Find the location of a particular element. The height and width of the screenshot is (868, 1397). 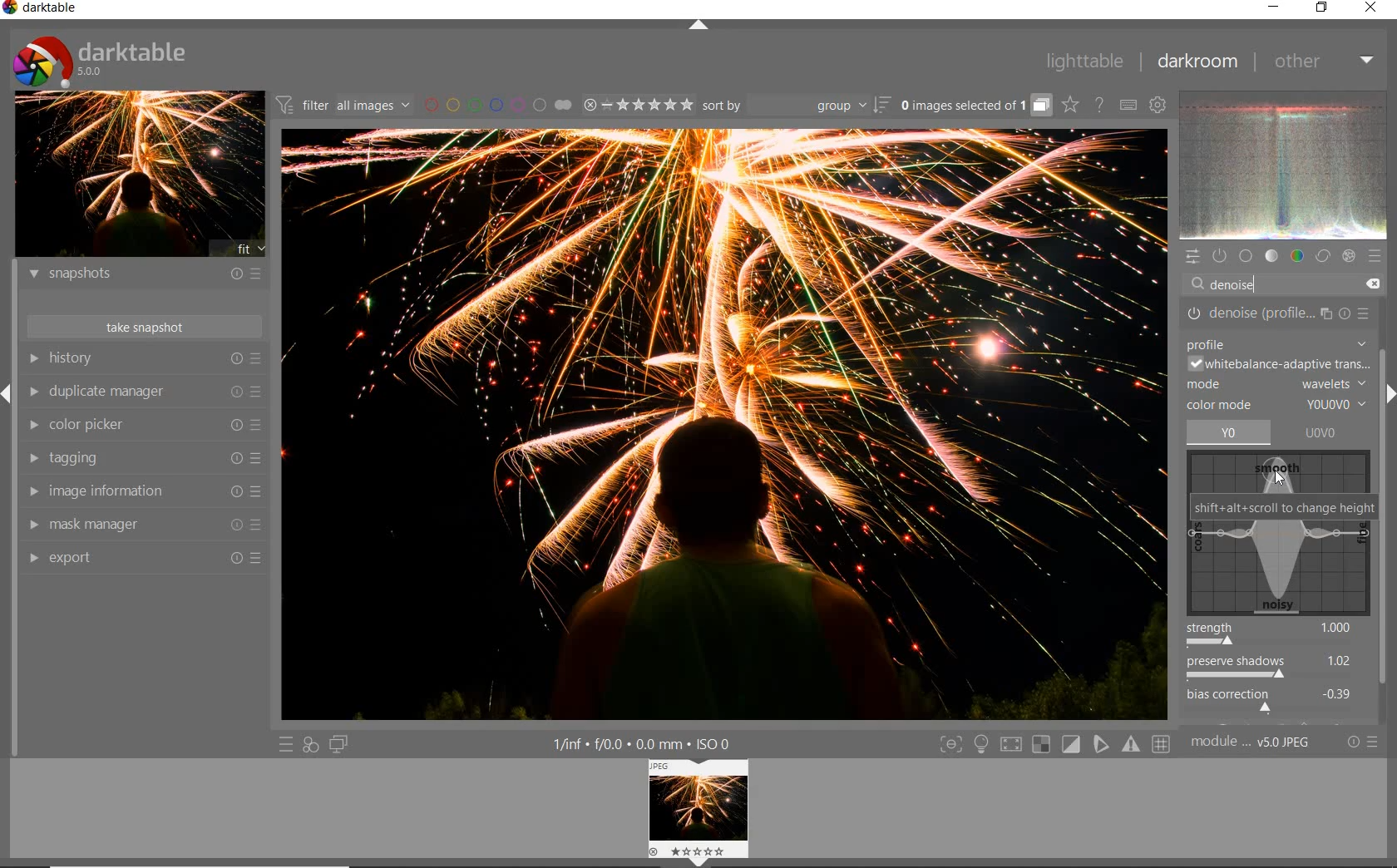

scrollbar is located at coordinates (1384, 501).